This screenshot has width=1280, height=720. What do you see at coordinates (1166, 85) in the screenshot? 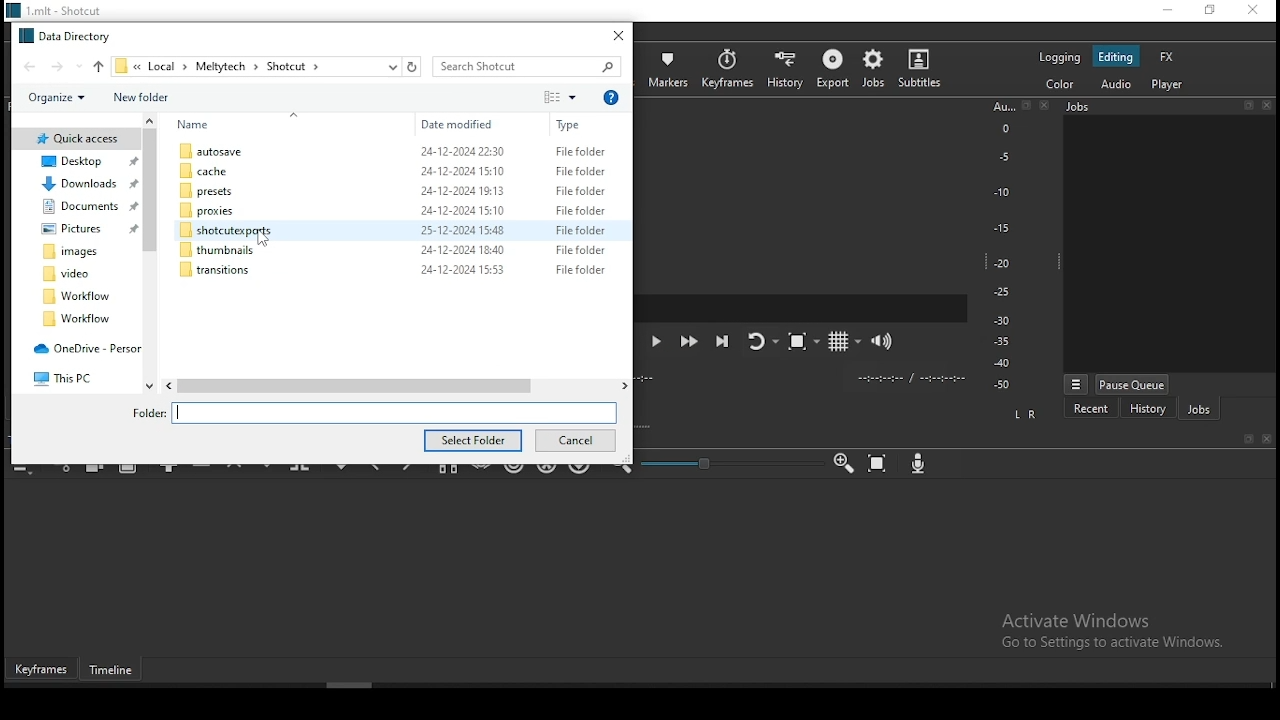
I see `player` at bounding box center [1166, 85].